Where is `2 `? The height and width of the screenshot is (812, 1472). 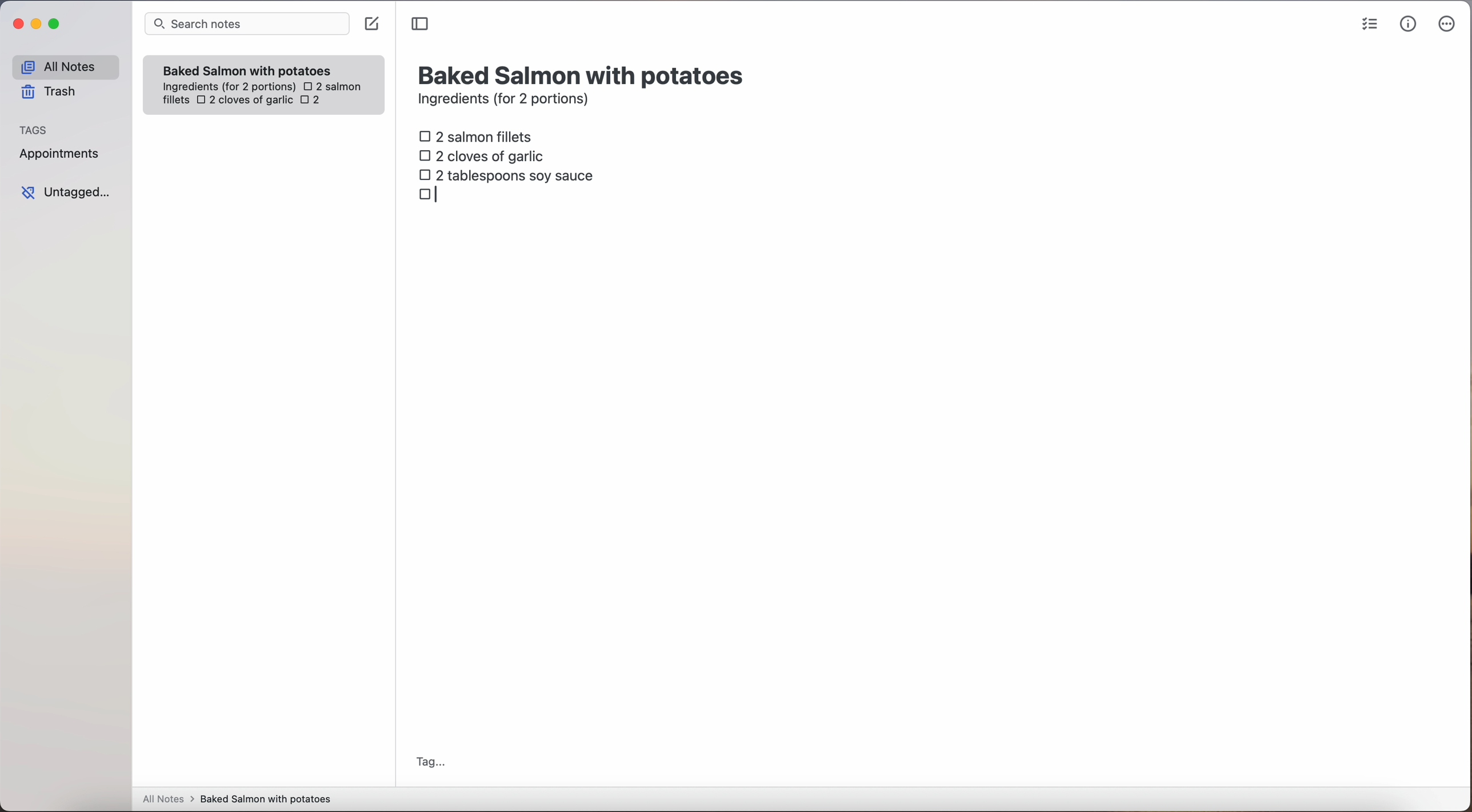 2  is located at coordinates (314, 101).